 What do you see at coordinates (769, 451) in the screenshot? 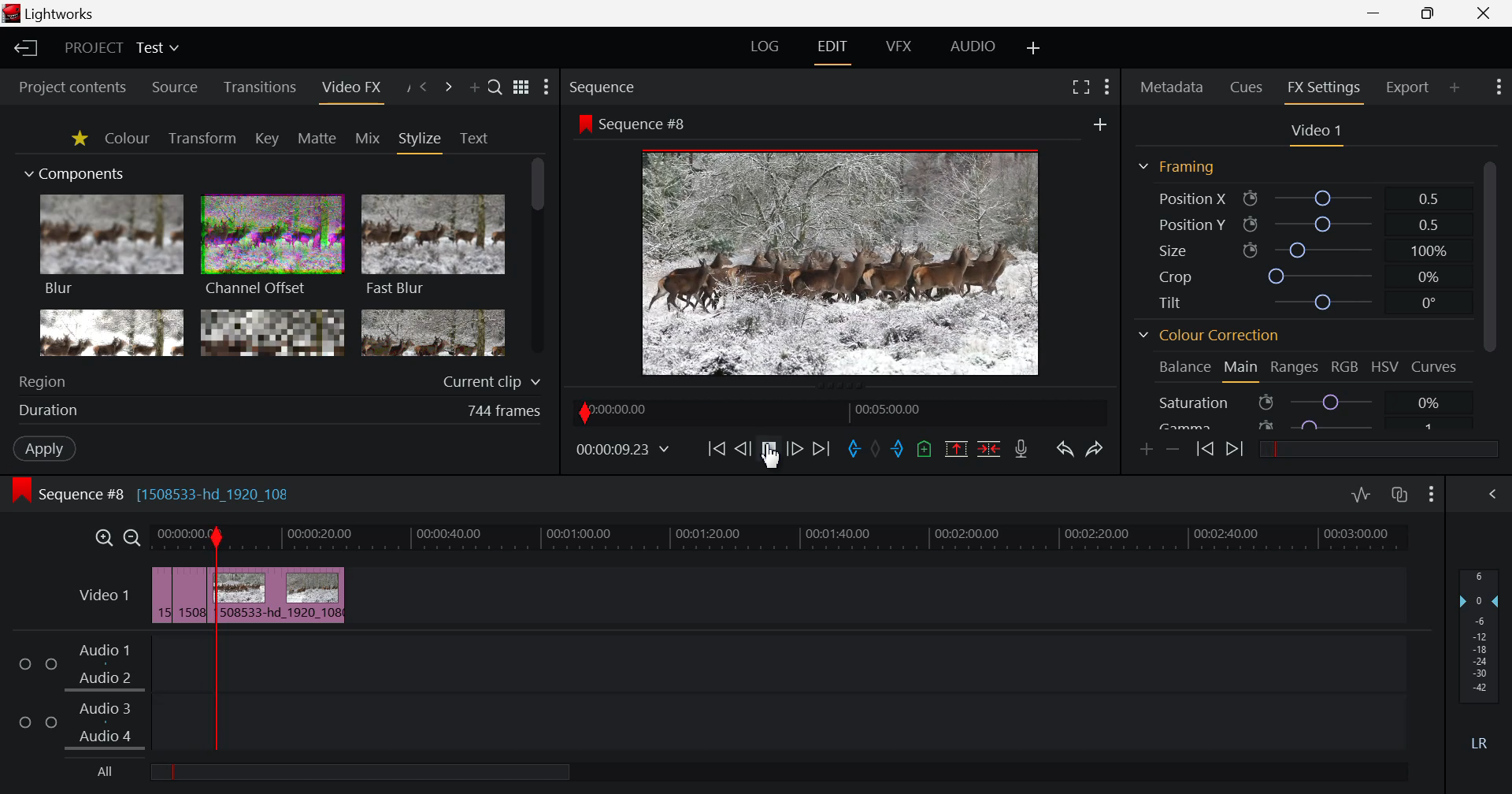
I see `Cursor on Stop Preview` at bounding box center [769, 451].